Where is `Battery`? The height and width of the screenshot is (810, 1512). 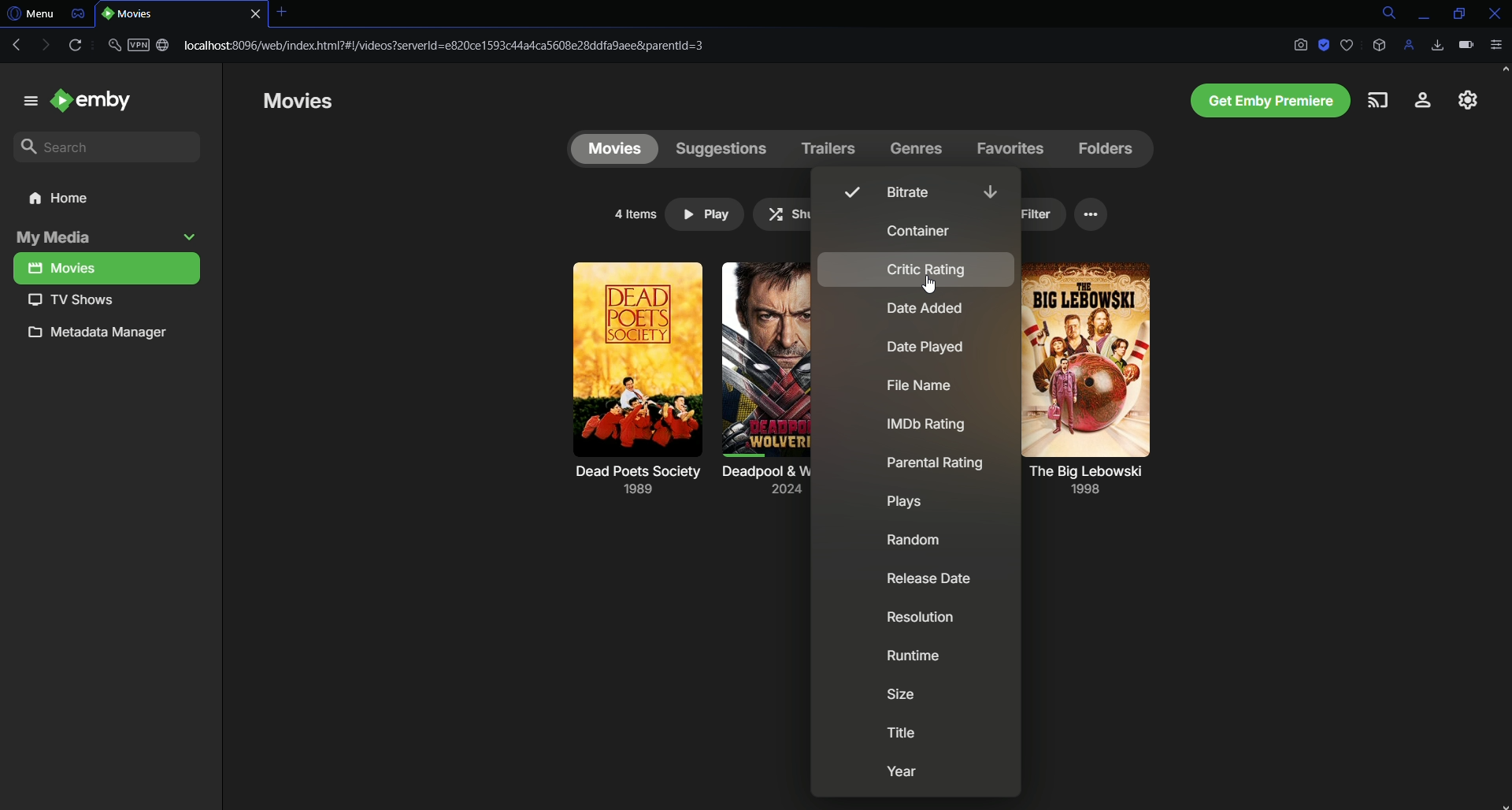 Battery is located at coordinates (1465, 46).